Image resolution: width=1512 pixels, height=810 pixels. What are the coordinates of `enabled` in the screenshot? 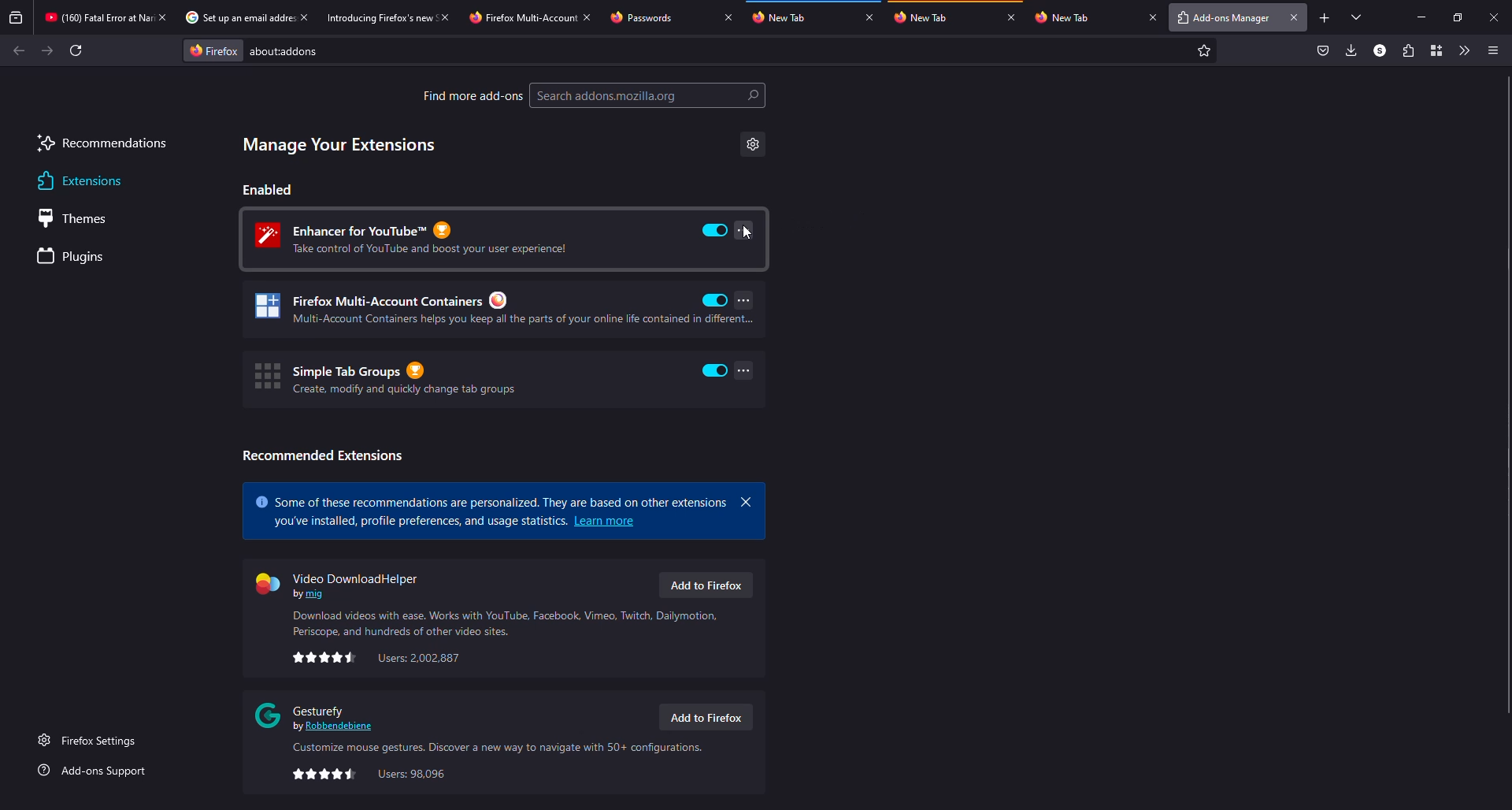 It's located at (715, 370).